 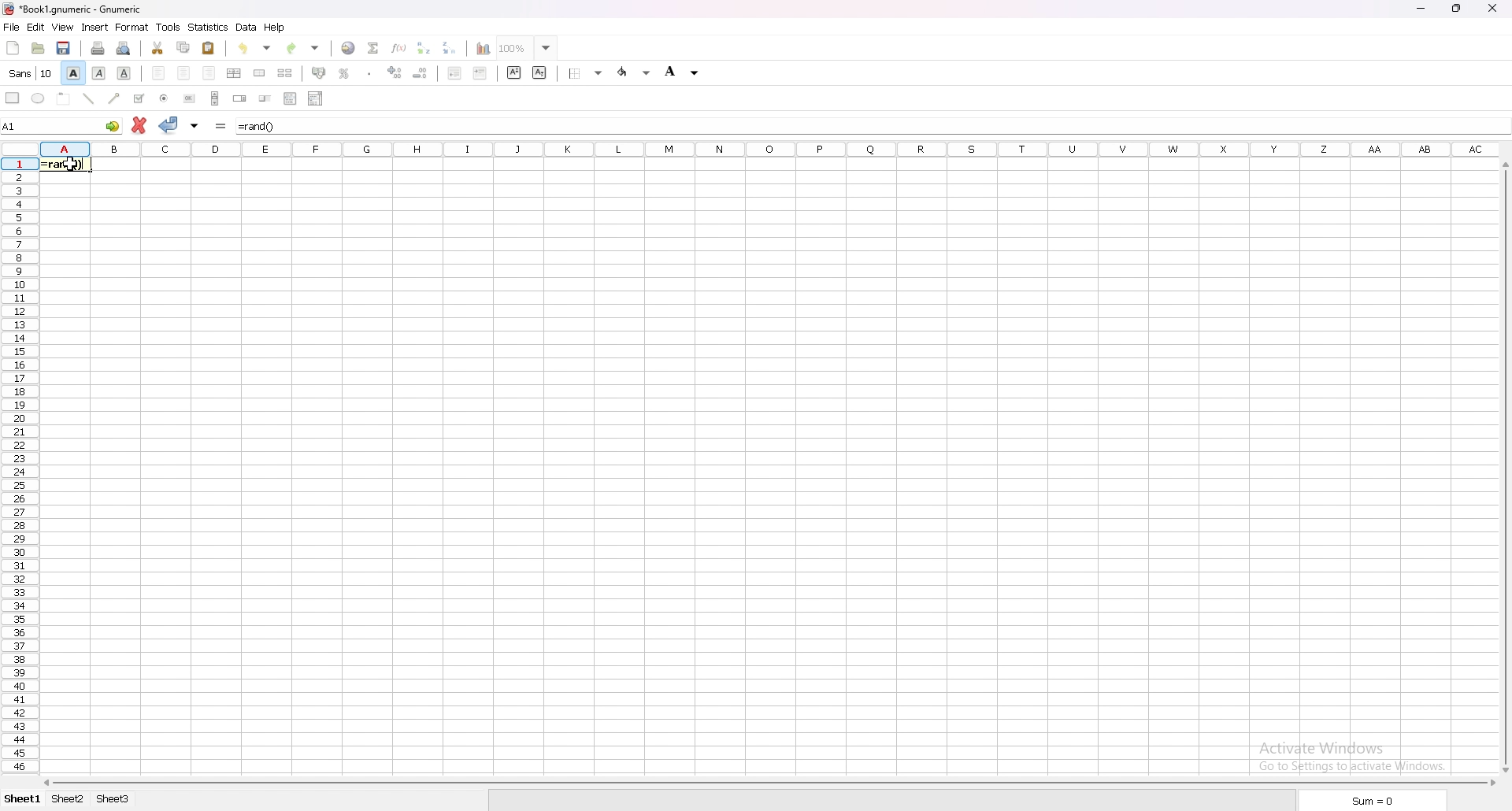 I want to click on view, so click(x=62, y=27).